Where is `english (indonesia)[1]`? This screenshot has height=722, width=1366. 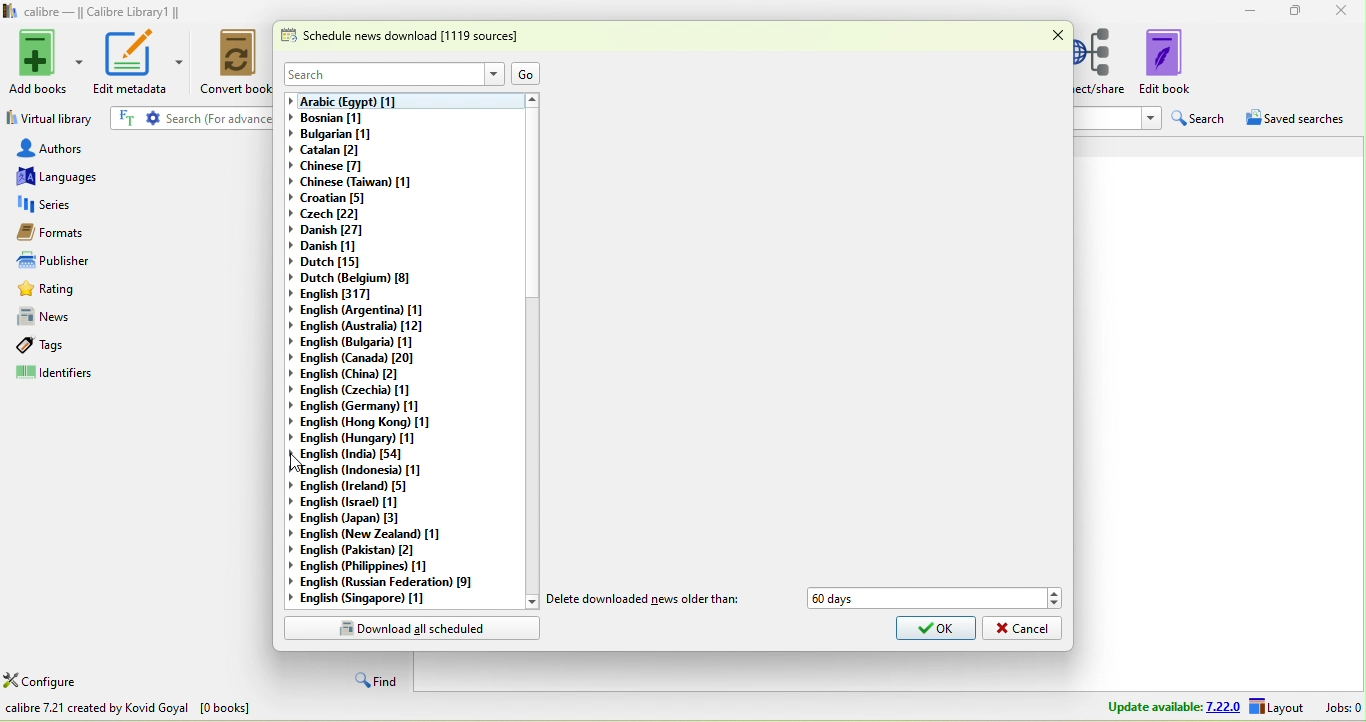 english (indonesia)[1] is located at coordinates (360, 471).